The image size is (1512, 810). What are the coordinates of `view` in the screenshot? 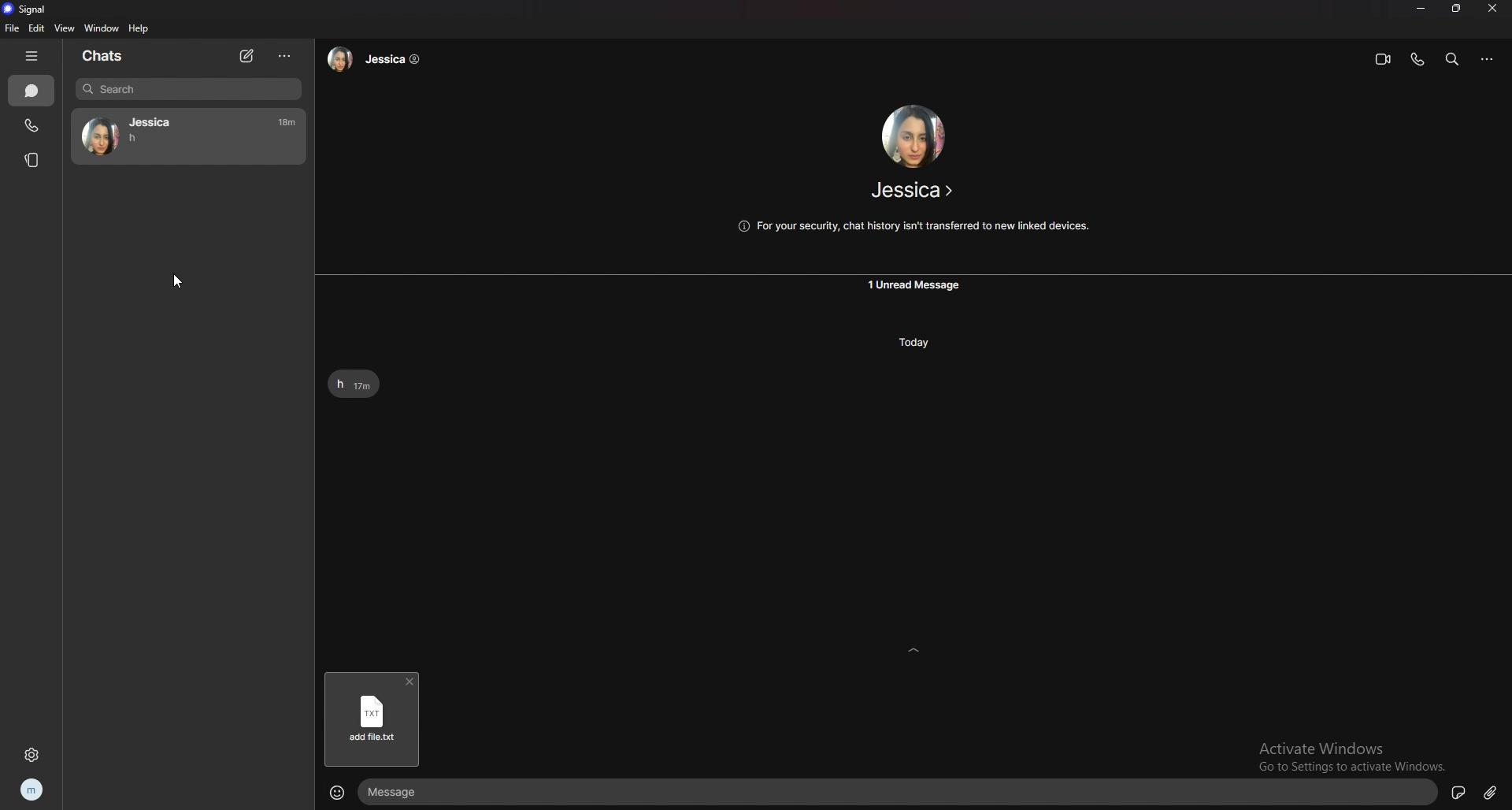 It's located at (63, 28).